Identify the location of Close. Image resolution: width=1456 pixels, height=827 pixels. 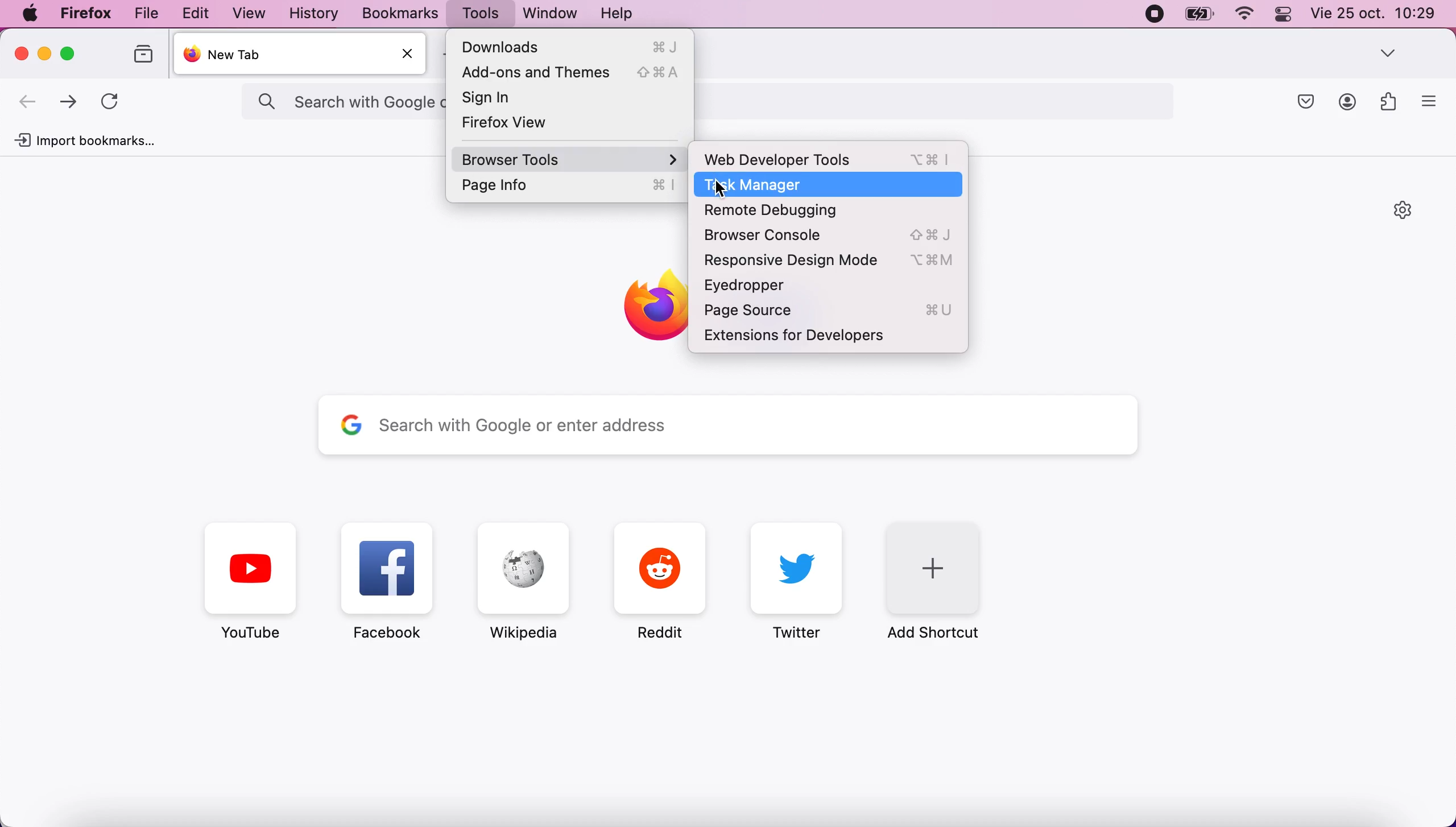
(408, 53).